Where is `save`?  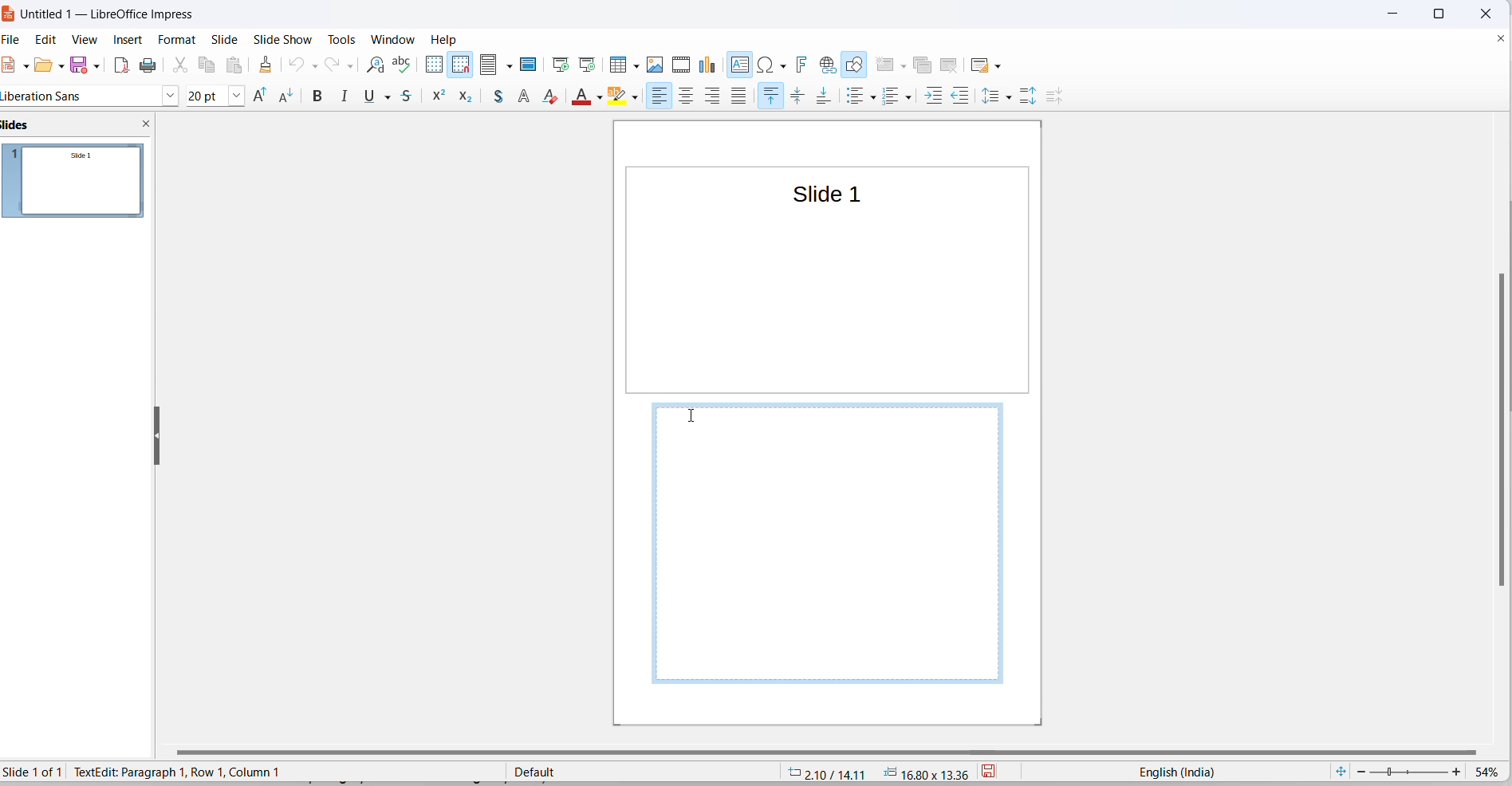 save is located at coordinates (80, 64).